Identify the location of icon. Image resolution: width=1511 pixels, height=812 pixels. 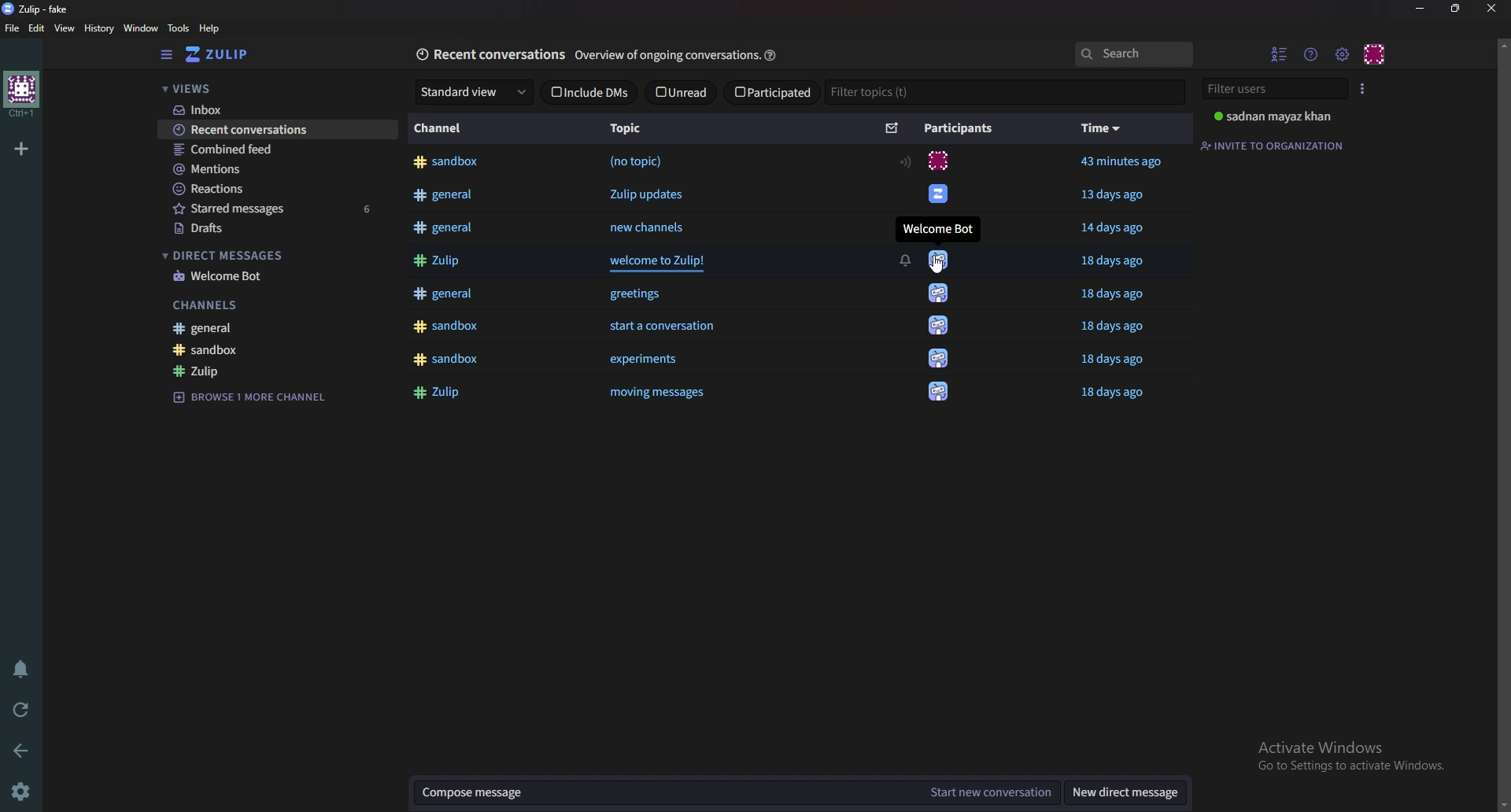
(938, 327).